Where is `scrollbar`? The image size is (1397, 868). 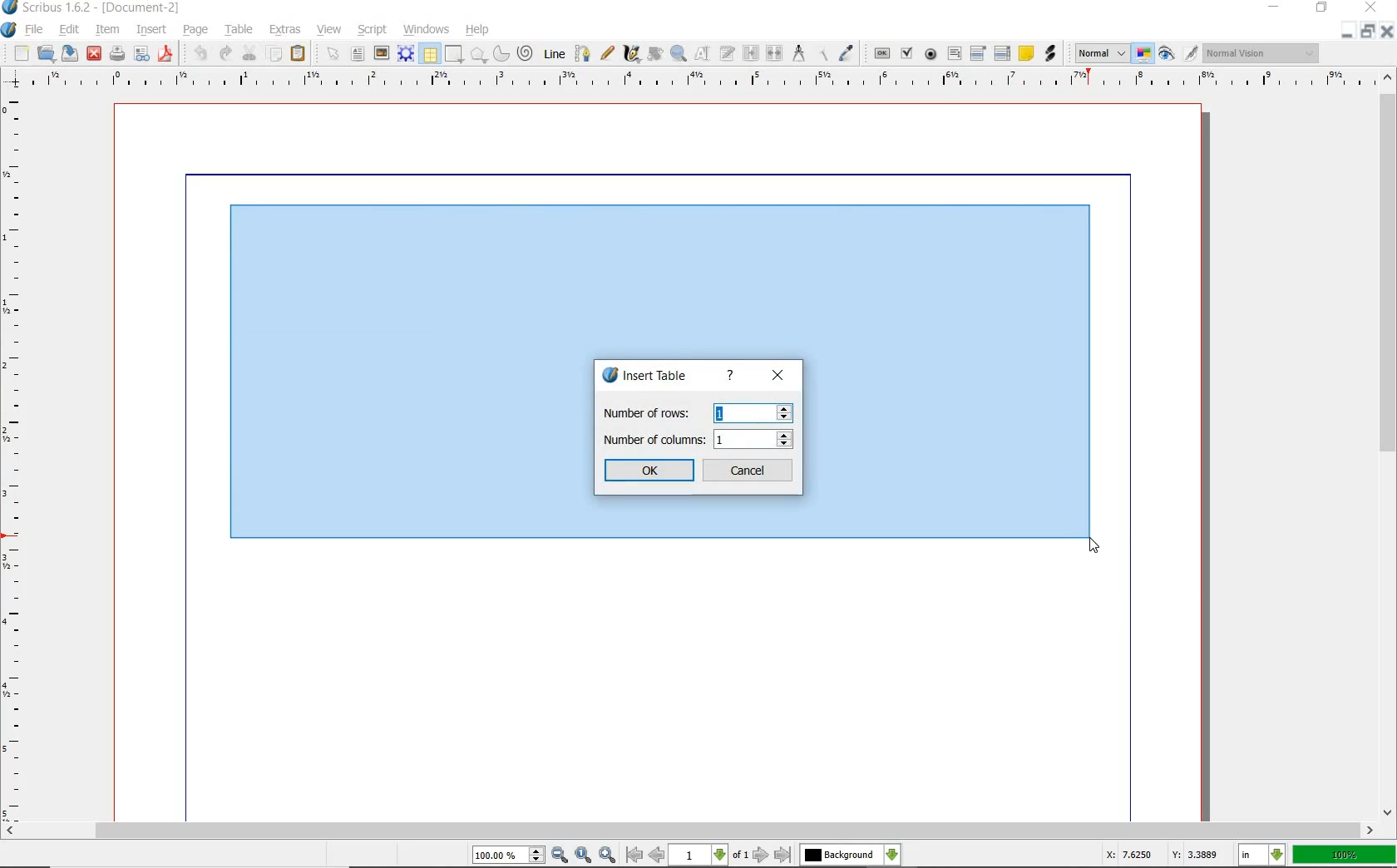 scrollbar is located at coordinates (1385, 455).